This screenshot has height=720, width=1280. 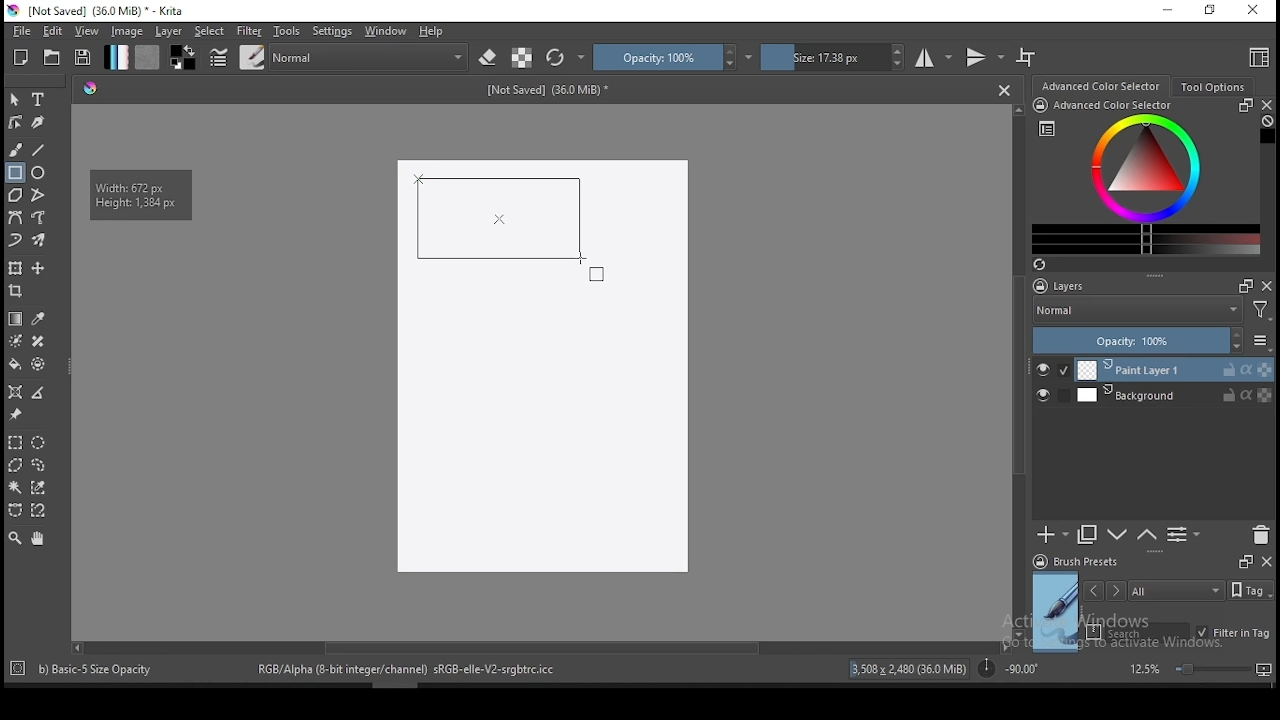 What do you see at coordinates (673, 57) in the screenshot?
I see `opacity` at bounding box center [673, 57].